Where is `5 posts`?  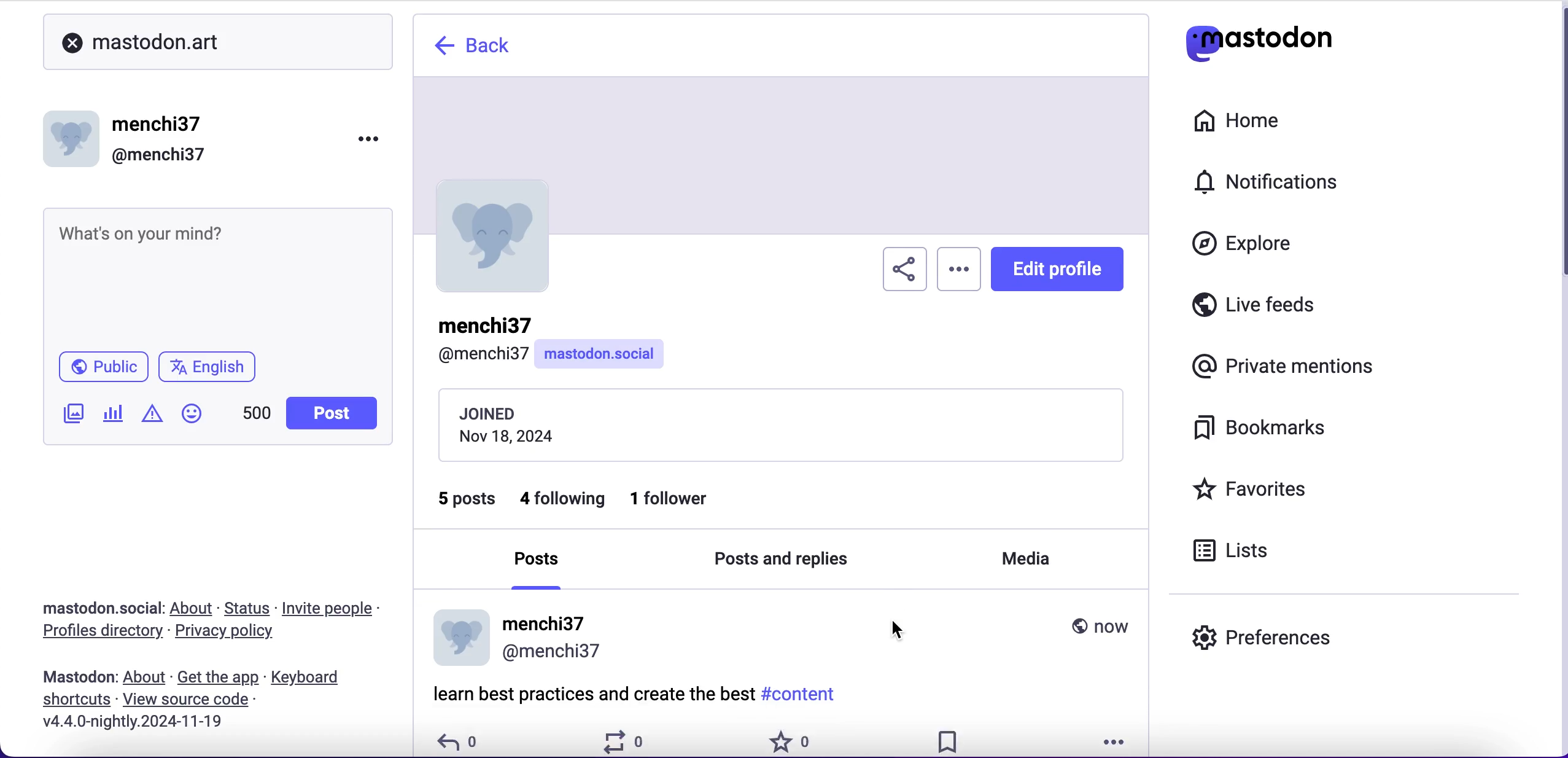 5 posts is located at coordinates (467, 507).